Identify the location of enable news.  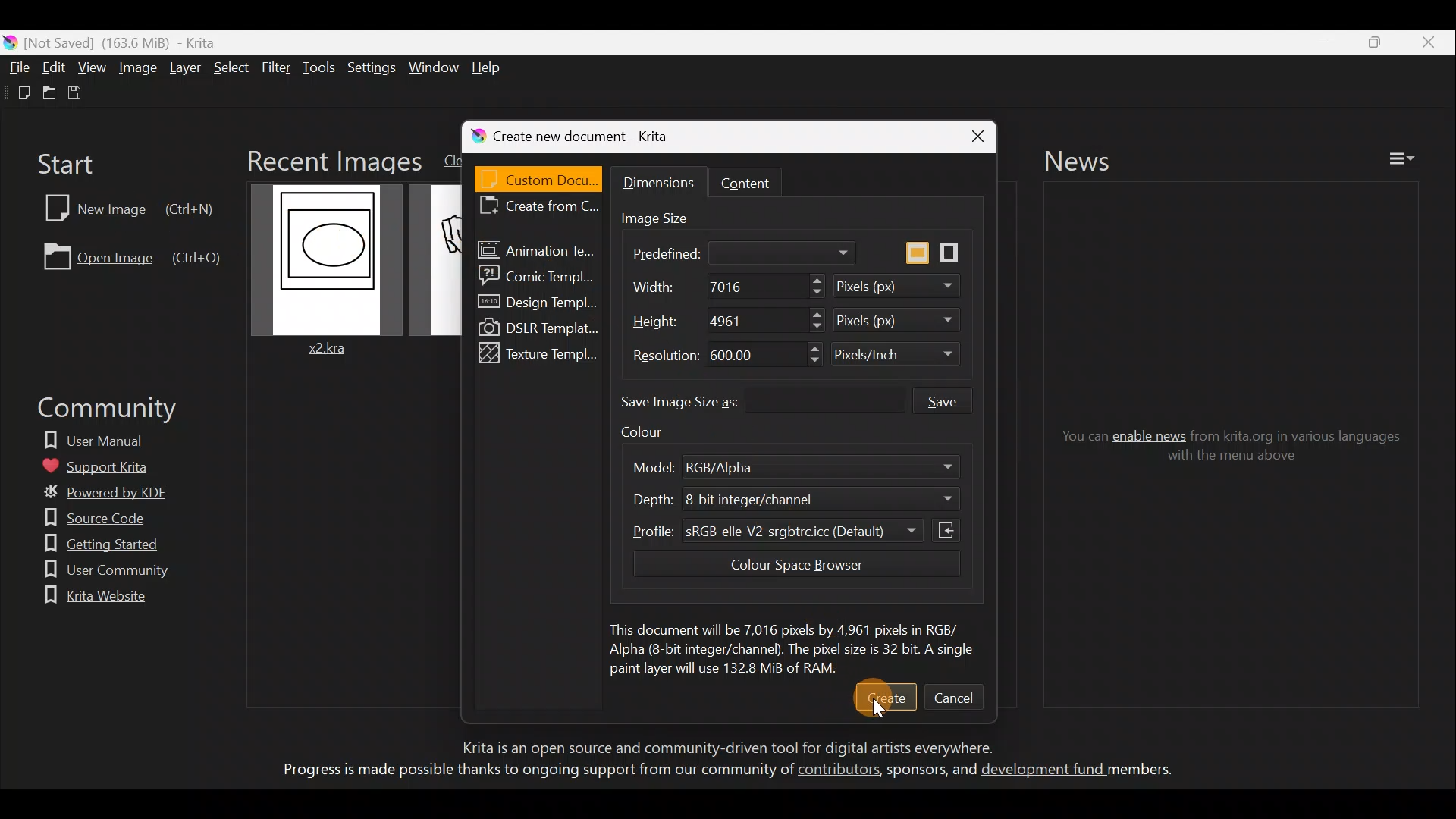
(1150, 434).